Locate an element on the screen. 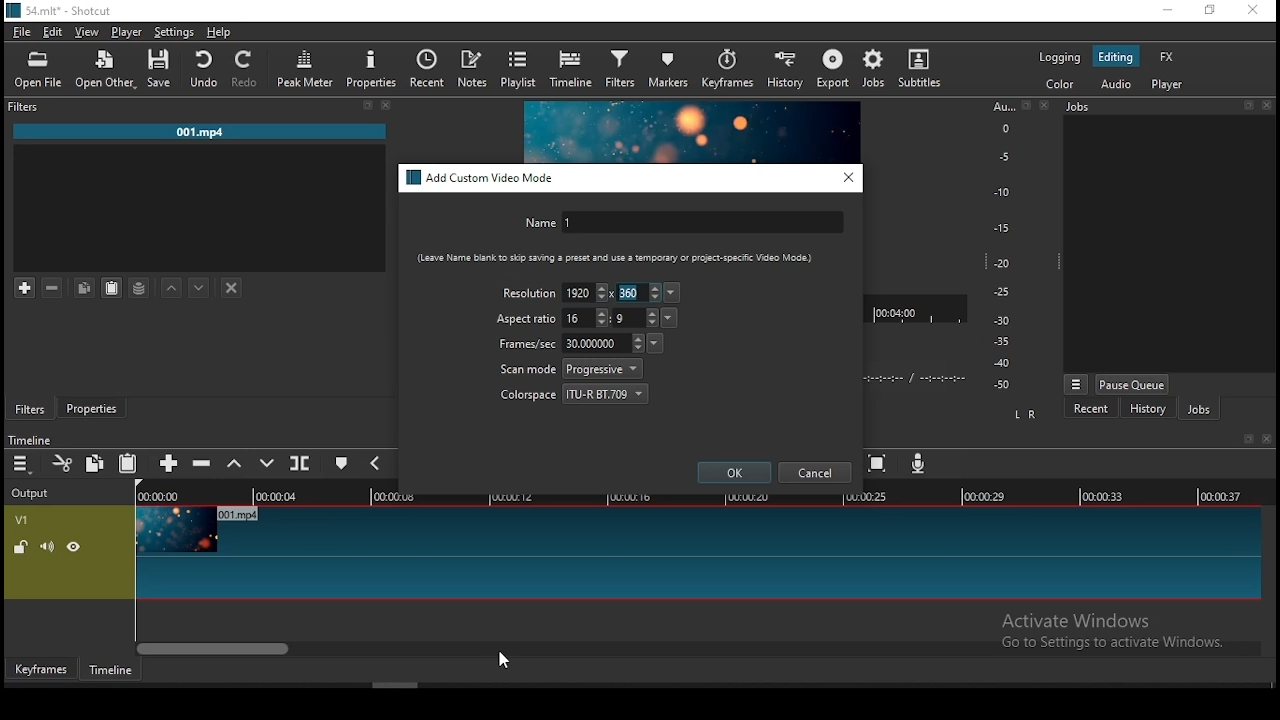 The width and height of the screenshot is (1280, 720). V1 is located at coordinates (20, 520).